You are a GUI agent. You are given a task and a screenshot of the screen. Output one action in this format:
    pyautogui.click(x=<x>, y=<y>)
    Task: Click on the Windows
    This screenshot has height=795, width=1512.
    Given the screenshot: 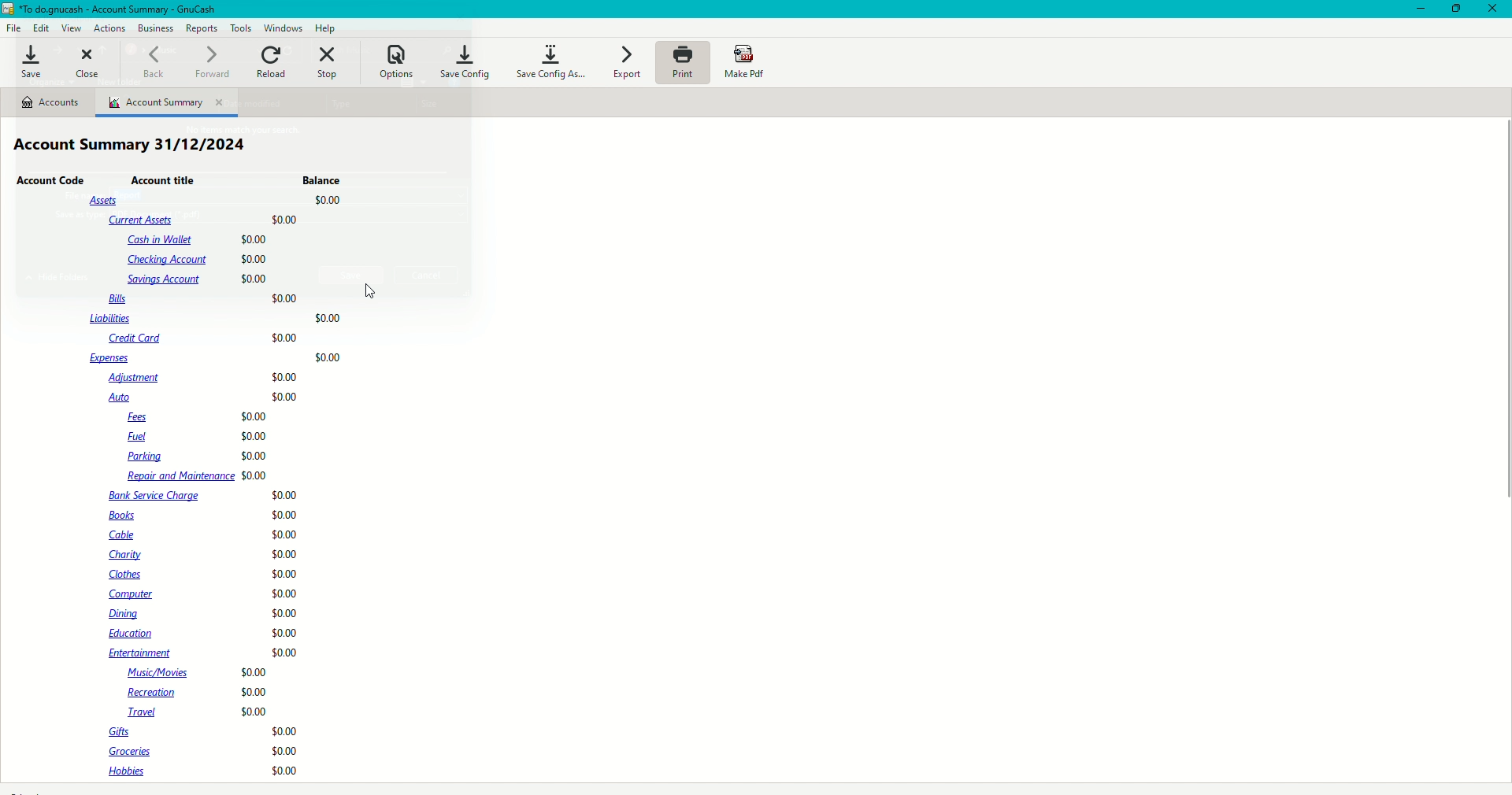 What is the action you would take?
    pyautogui.click(x=284, y=28)
    